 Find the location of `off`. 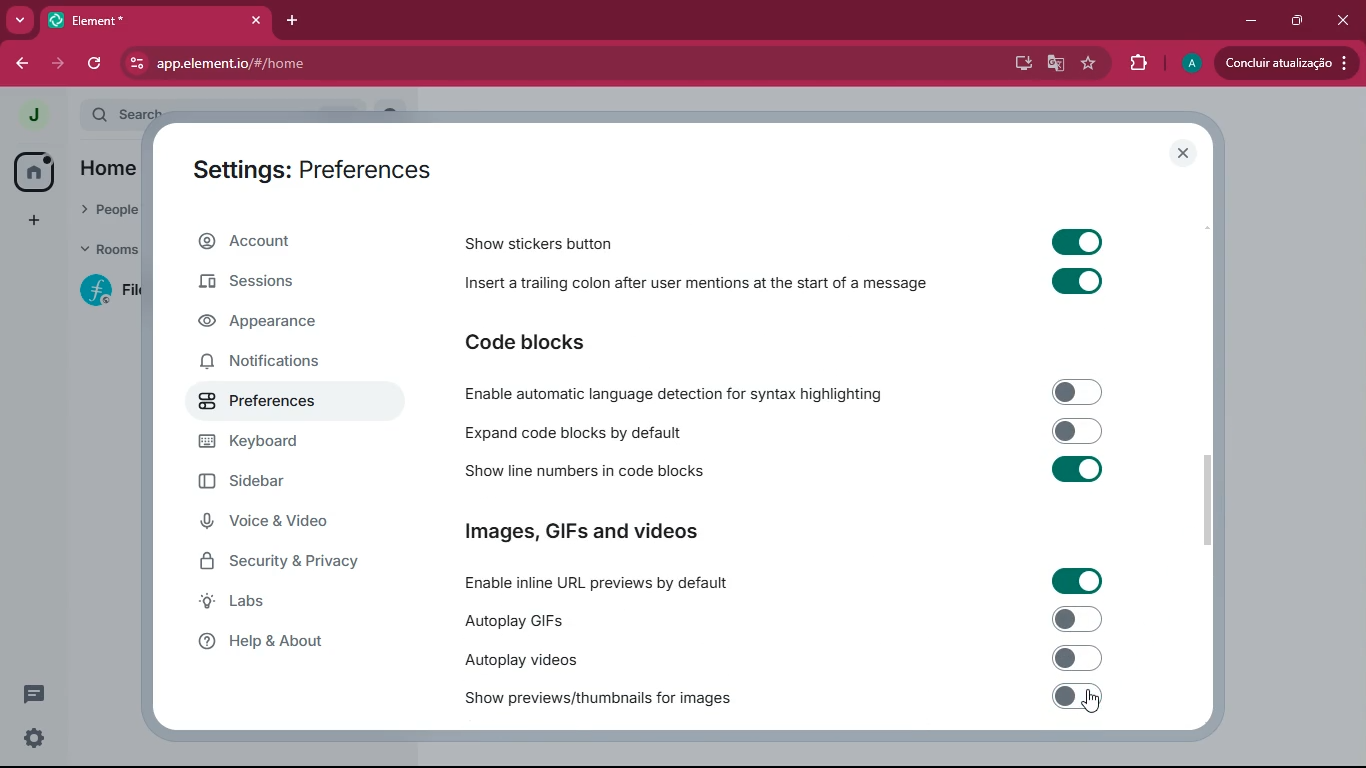

off is located at coordinates (1084, 699).